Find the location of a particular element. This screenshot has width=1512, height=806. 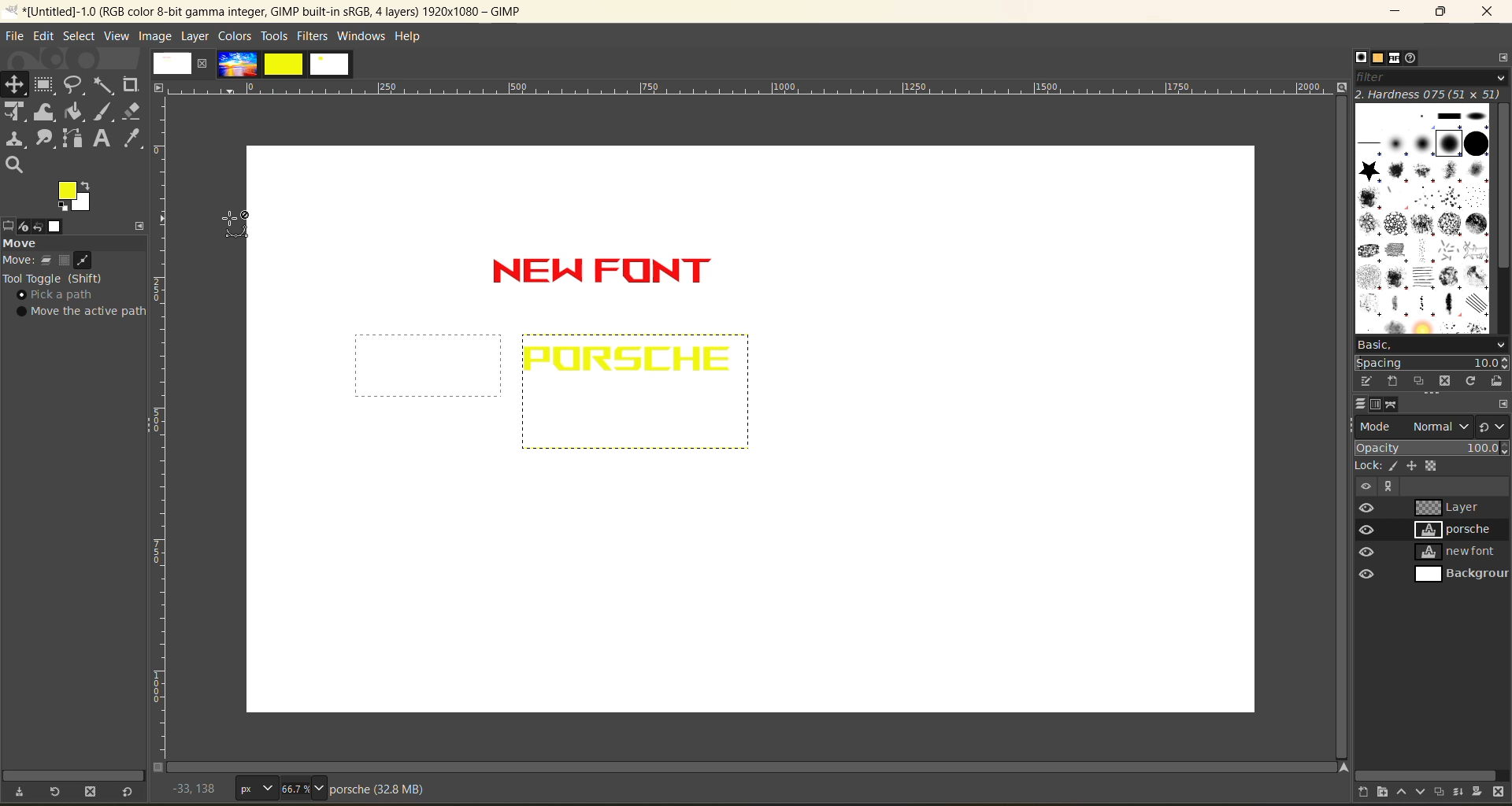

clone tool is located at coordinates (16, 140).